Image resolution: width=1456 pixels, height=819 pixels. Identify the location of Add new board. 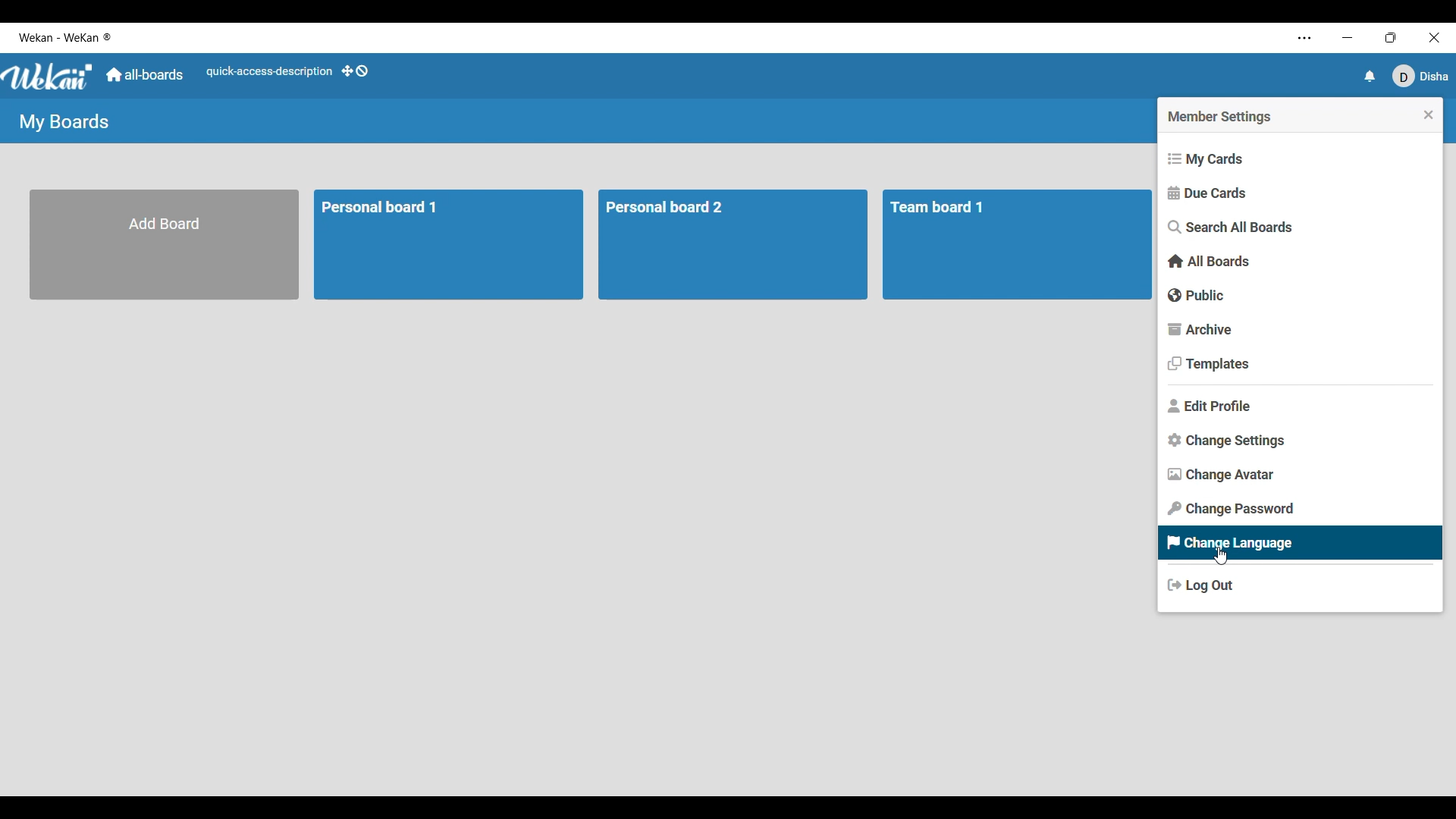
(164, 245).